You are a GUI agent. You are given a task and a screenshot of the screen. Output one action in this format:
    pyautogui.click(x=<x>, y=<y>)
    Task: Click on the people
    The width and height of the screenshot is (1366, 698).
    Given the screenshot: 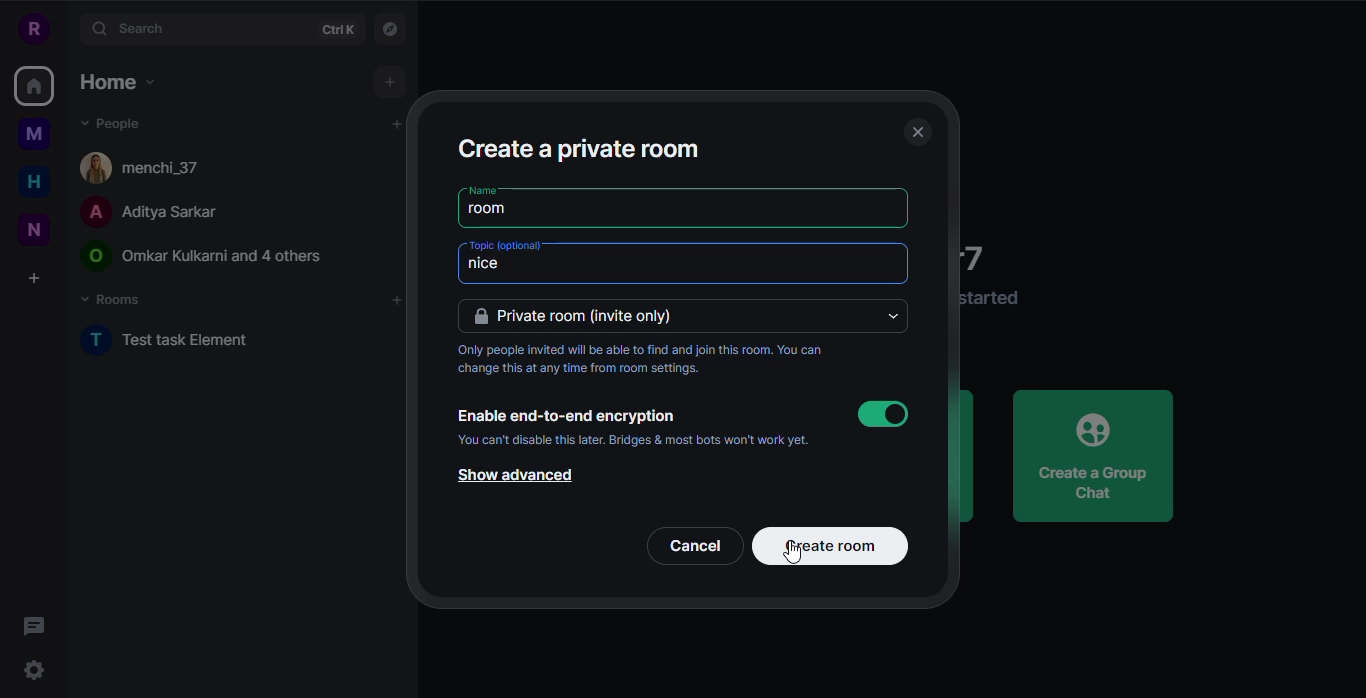 What is the action you would take?
    pyautogui.click(x=151, y=165)
    